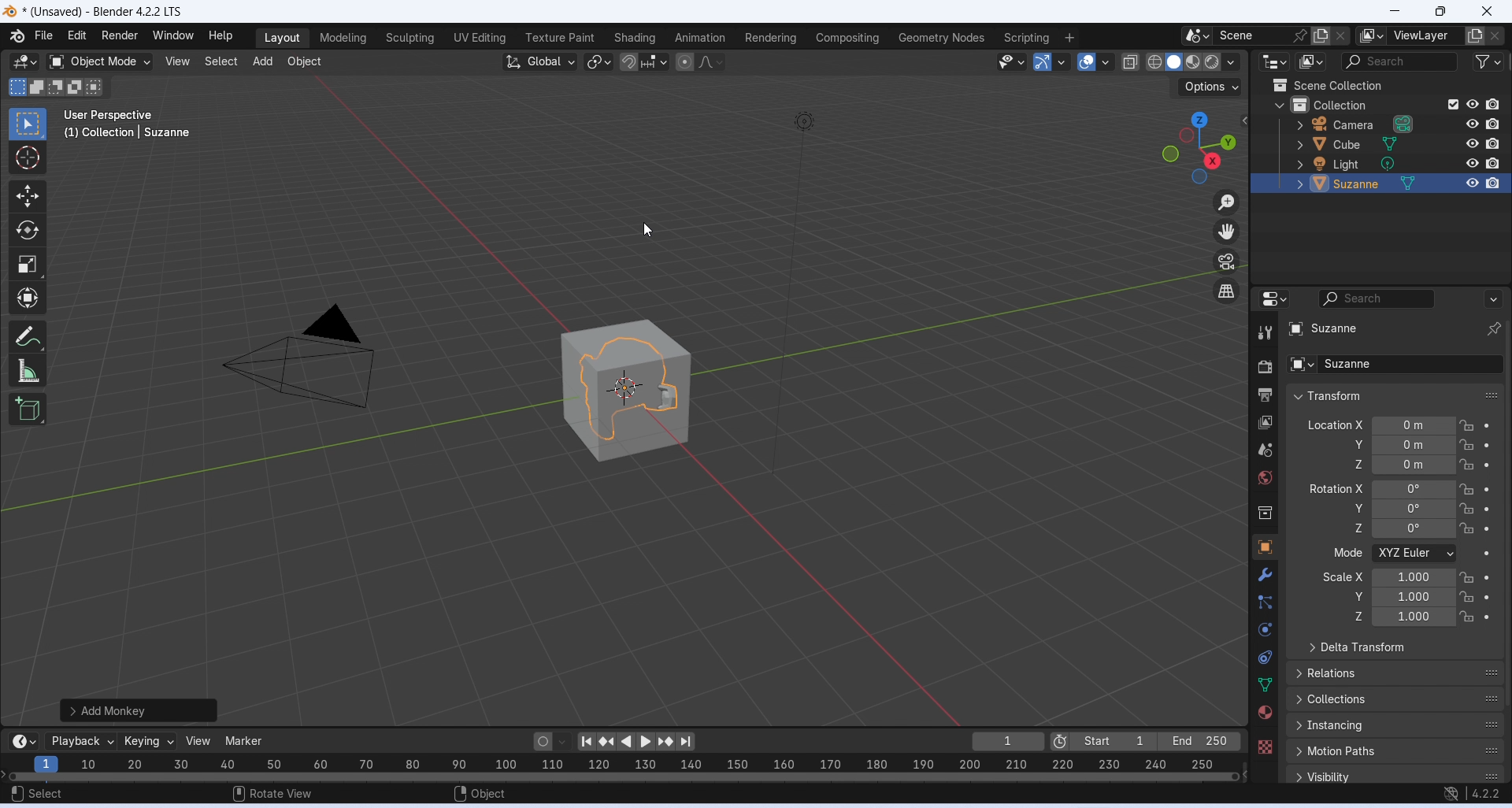 This screenshot has width=1512, height=808. What do you see at coordinates (1488, 617) in the screenshot?
I see `animate property` at bounding box center [1488, 617].